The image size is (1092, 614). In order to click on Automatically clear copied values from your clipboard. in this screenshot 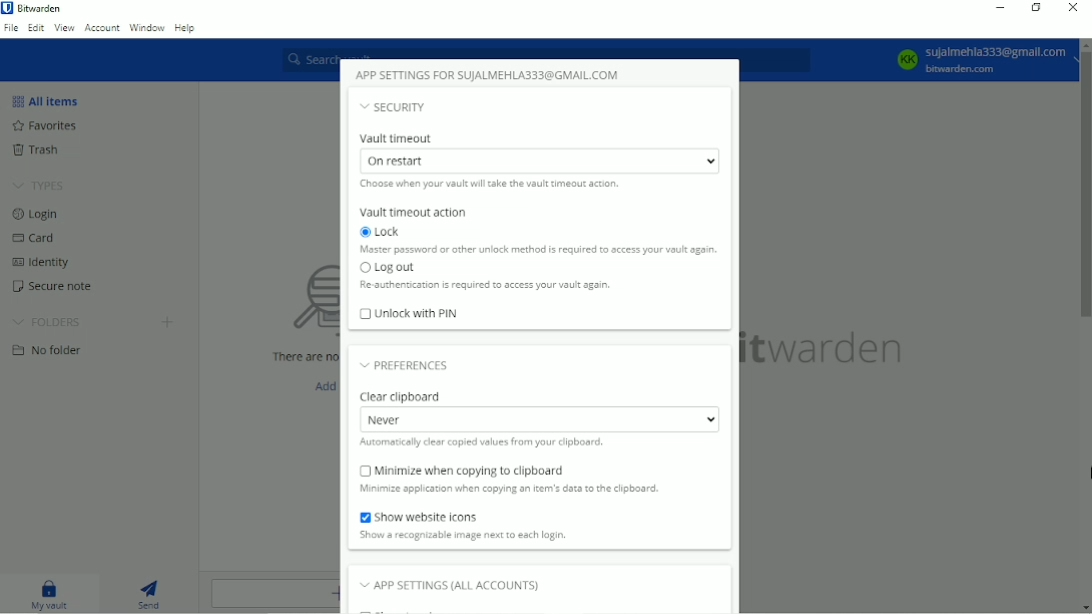, I will do `click(496, 444)`.